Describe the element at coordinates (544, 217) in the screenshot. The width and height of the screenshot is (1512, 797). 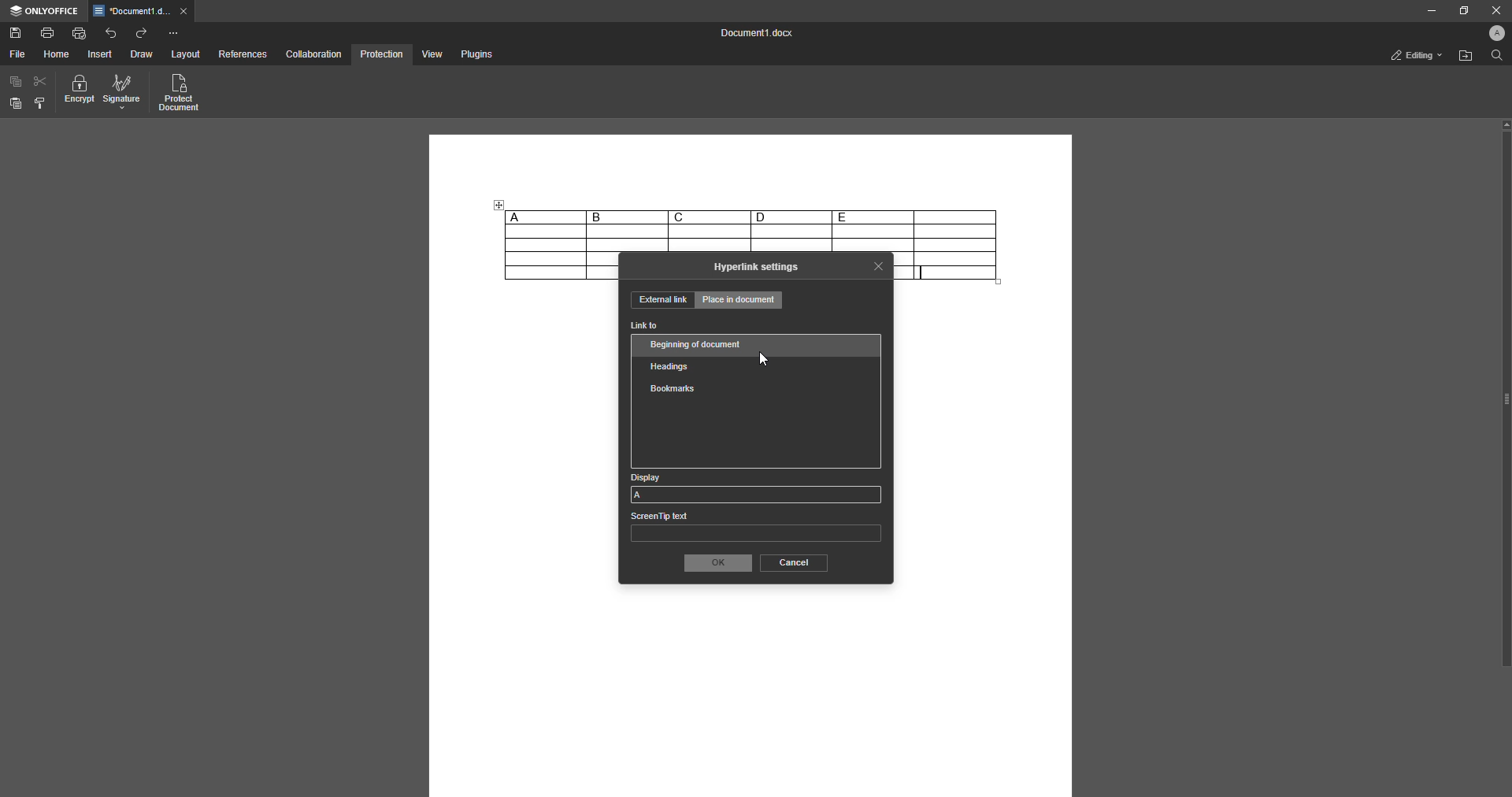
I see `A` at that location.